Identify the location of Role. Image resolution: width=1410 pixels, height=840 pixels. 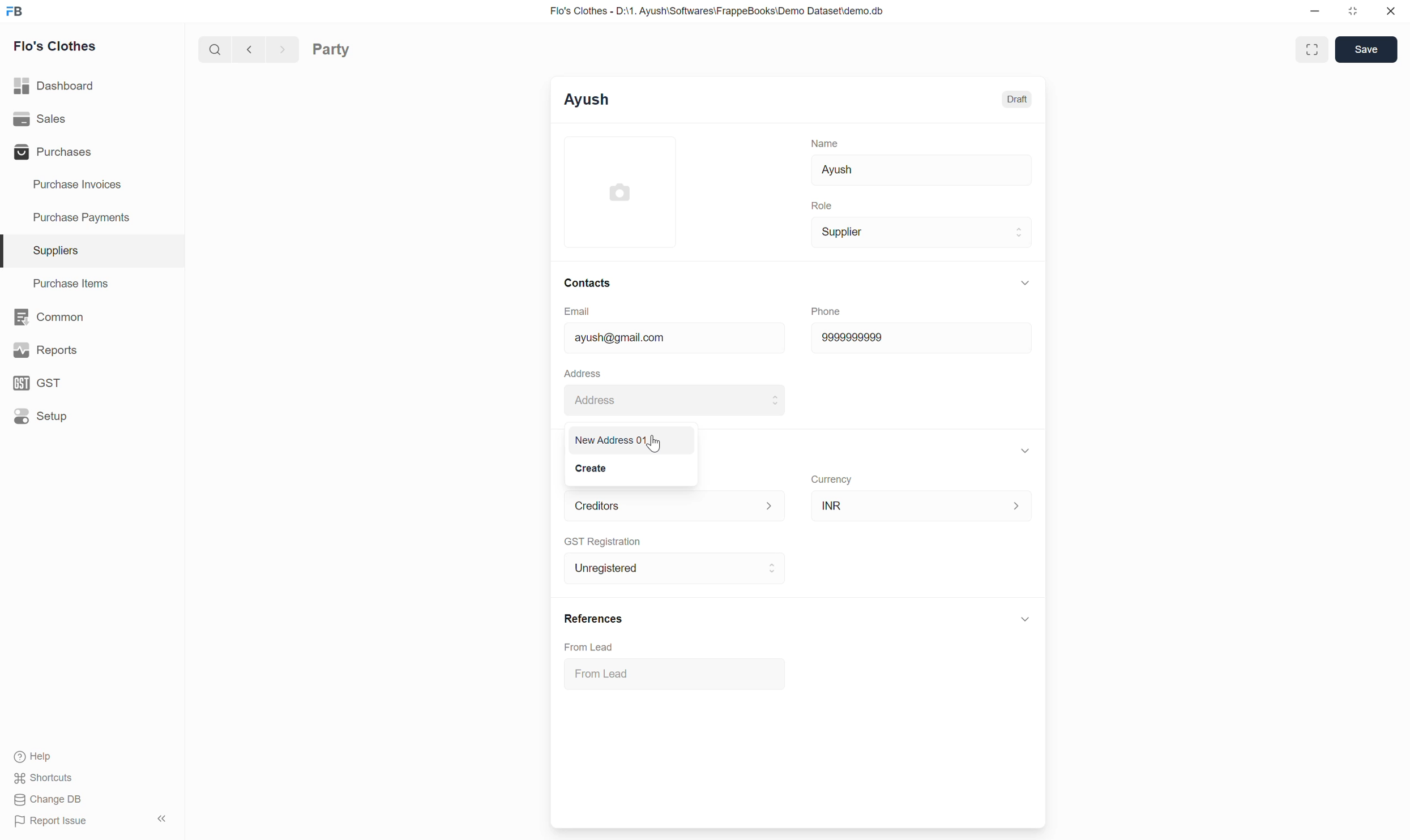
(822, 205).